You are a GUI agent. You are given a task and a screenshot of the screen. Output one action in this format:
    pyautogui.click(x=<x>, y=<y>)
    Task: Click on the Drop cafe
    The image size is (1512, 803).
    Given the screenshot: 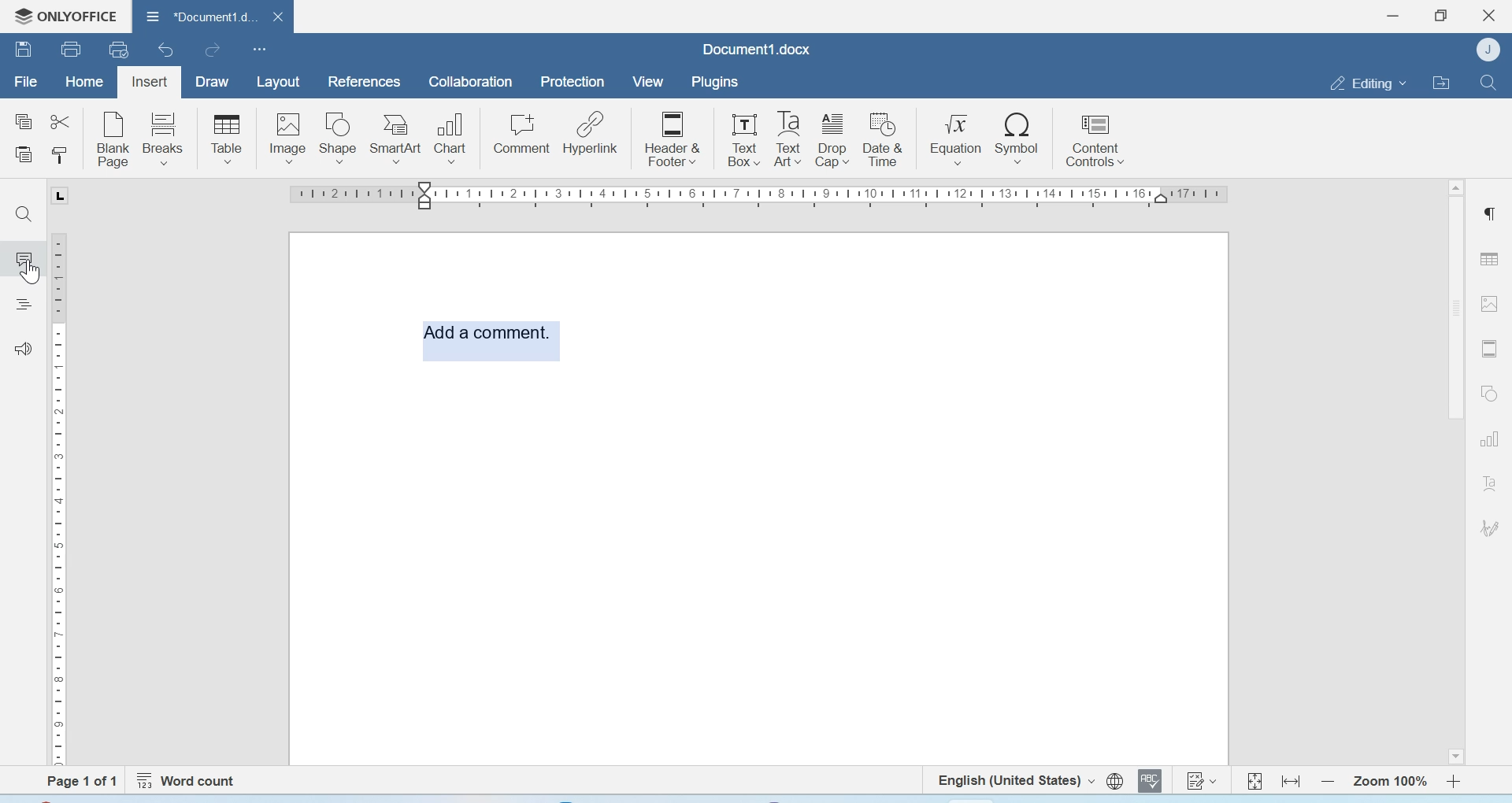 What is the action you would take?
    pyautogui.click(x=834, y=139)
    